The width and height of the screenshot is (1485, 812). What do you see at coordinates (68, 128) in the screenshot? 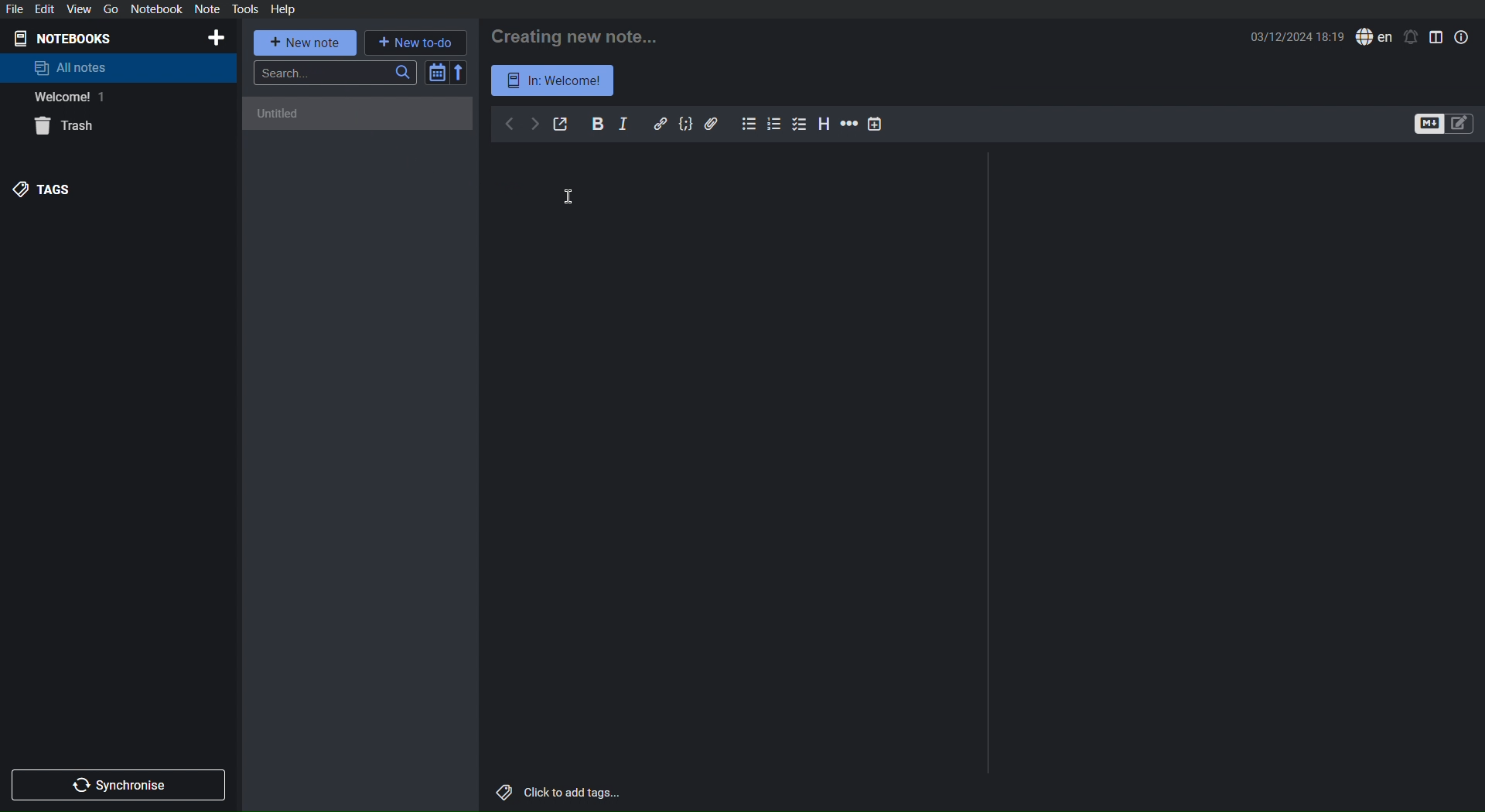
I see `Trash` at bounding box center [68, 128].